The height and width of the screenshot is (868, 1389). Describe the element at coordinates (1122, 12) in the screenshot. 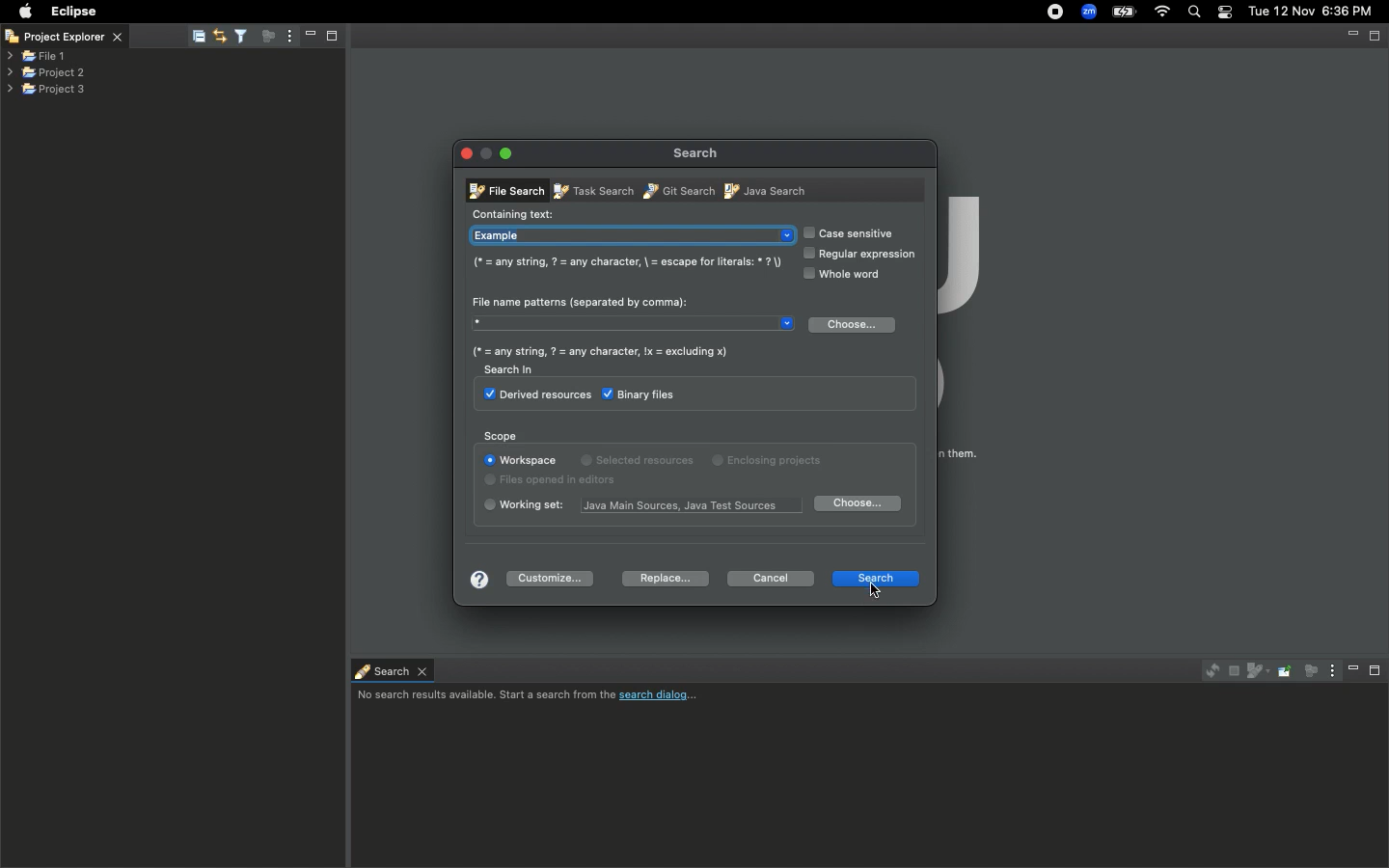

I see `Charge` at that location.